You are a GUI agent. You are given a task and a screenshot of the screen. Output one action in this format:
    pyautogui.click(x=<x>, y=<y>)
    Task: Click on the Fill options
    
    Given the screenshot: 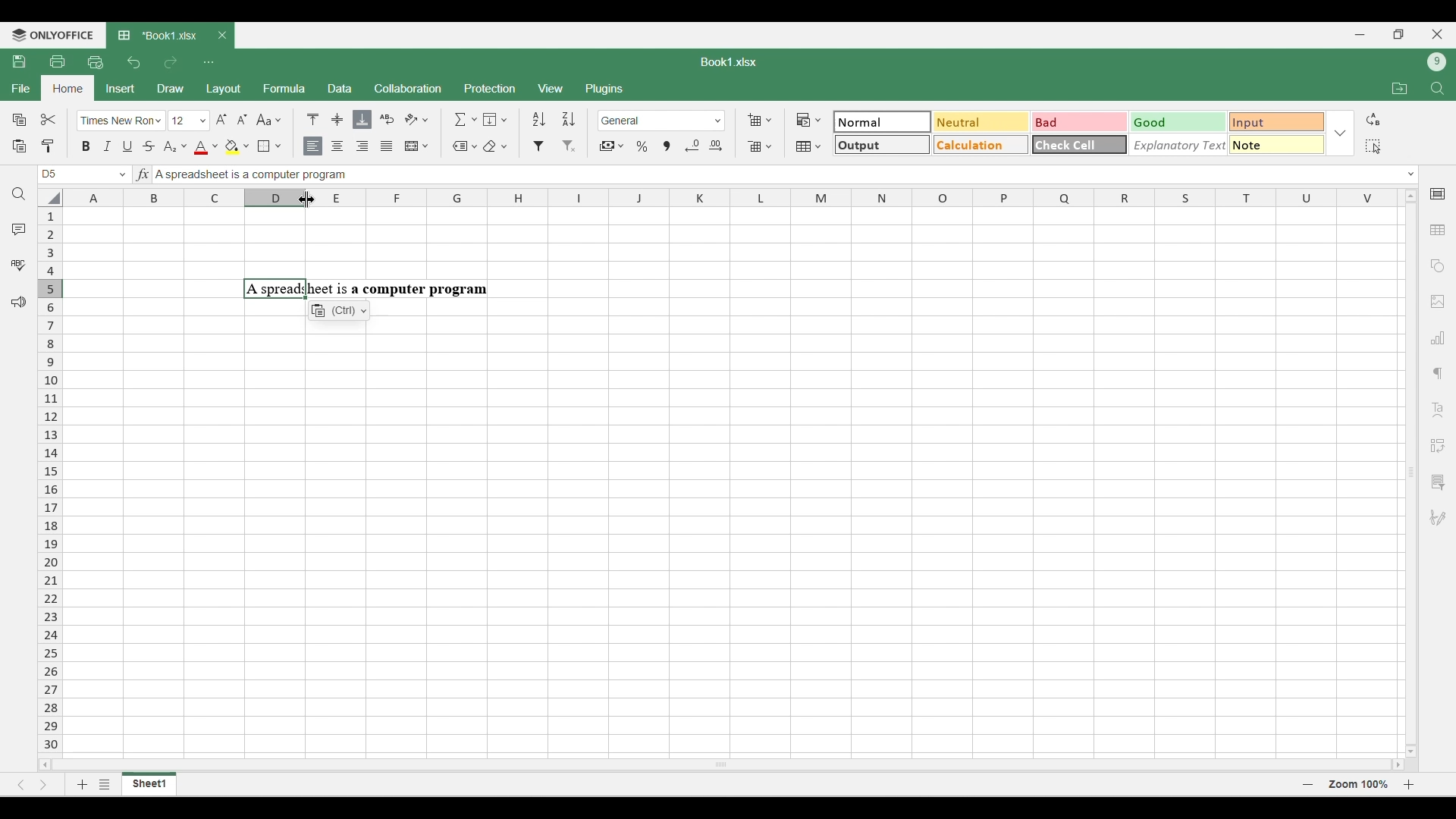 What is the action you would take?
    pyautogui.click(x=495, y=119)
    